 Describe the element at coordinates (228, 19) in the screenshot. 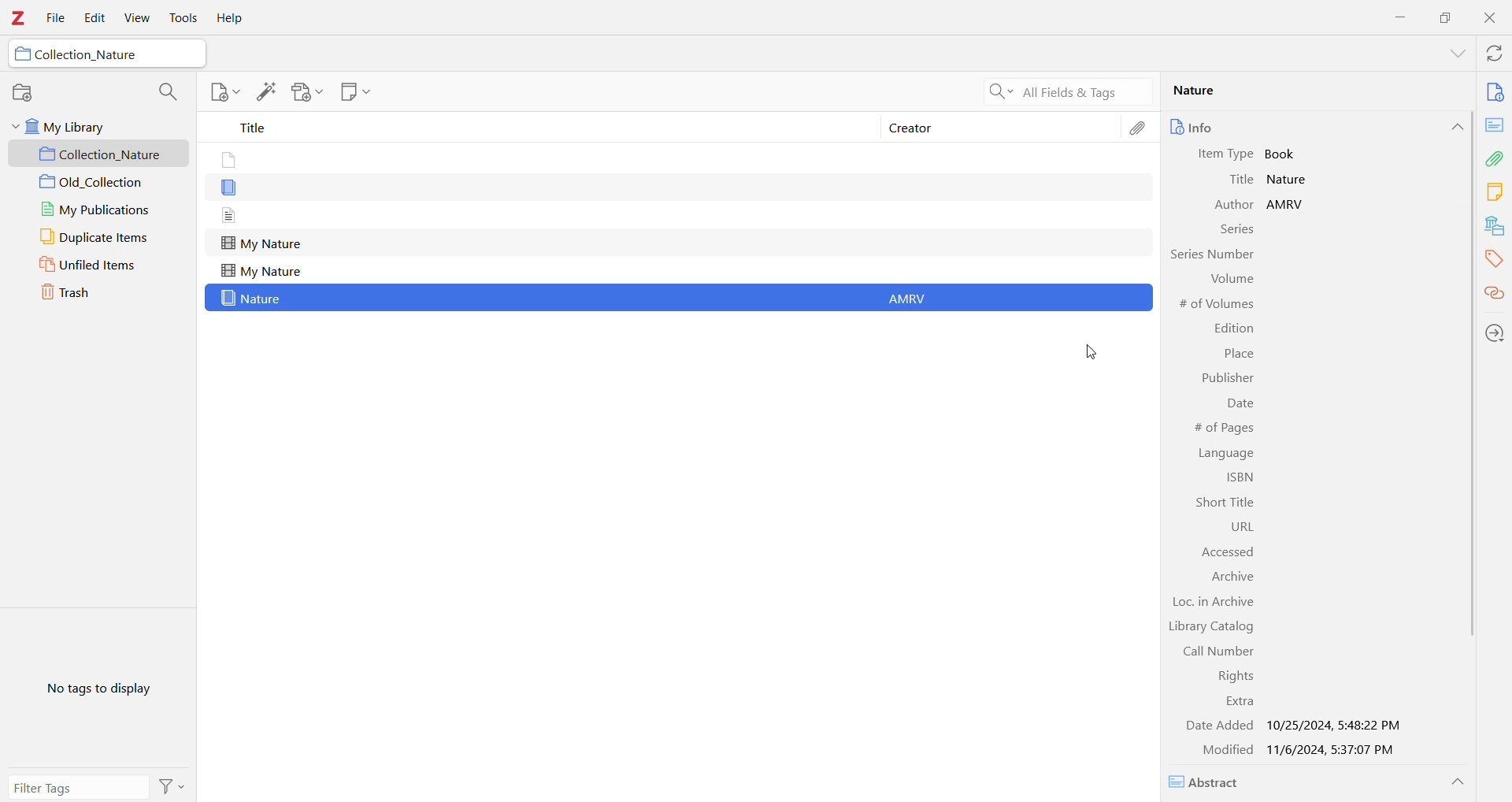

I see `Help` at that location.